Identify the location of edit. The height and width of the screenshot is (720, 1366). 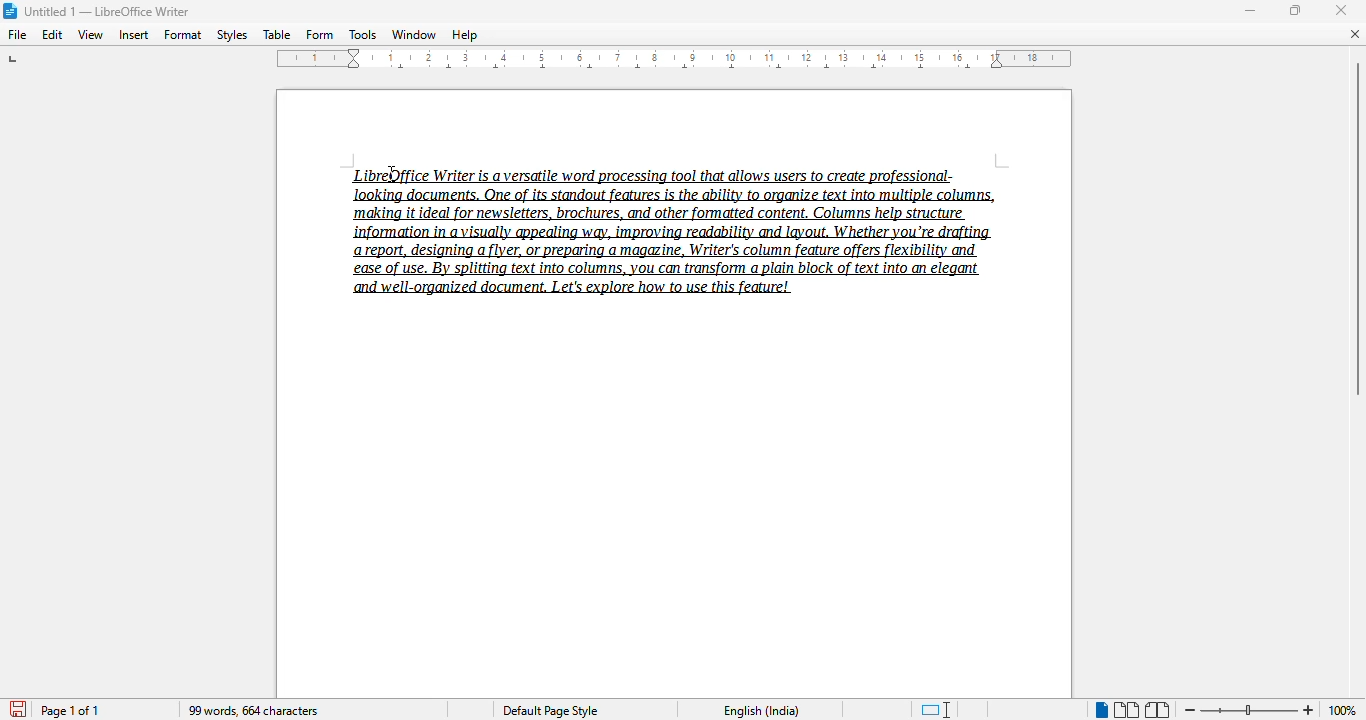
(53, 35).